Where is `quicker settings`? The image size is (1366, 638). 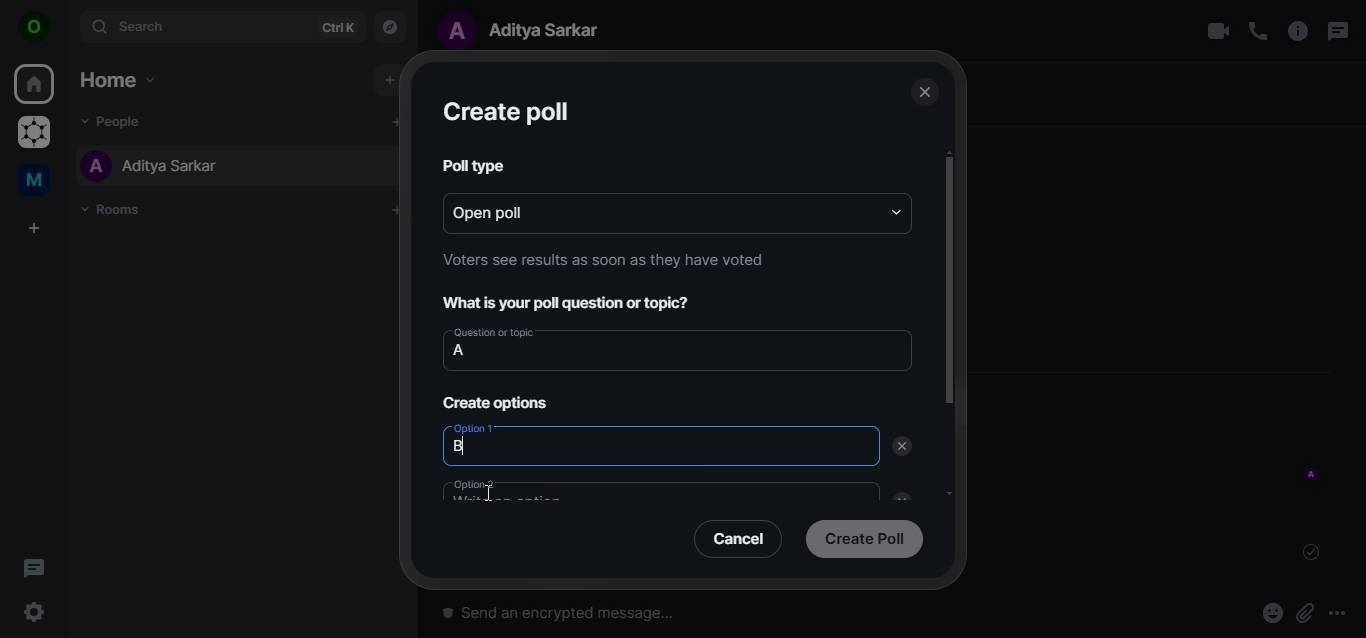
quicker settings is located at coordinates (37, 613).